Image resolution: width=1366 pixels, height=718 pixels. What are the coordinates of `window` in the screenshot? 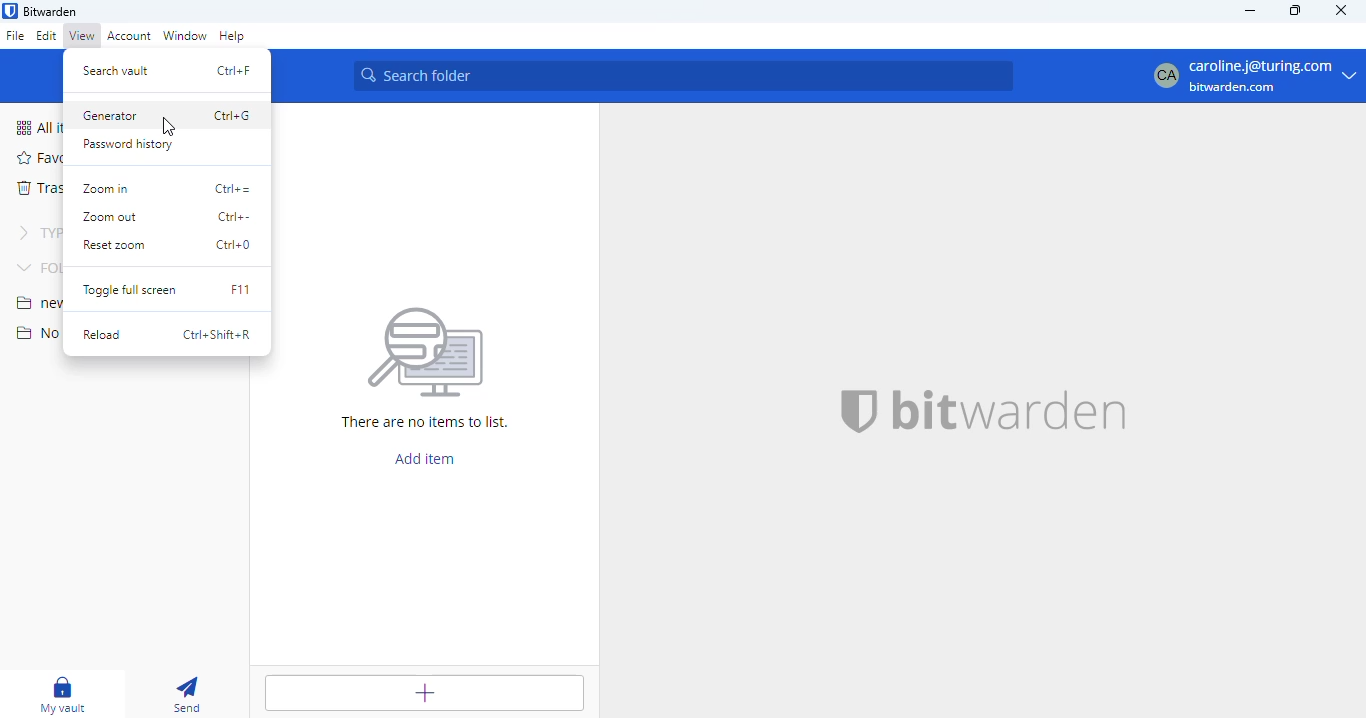 It's located at (185, 36).